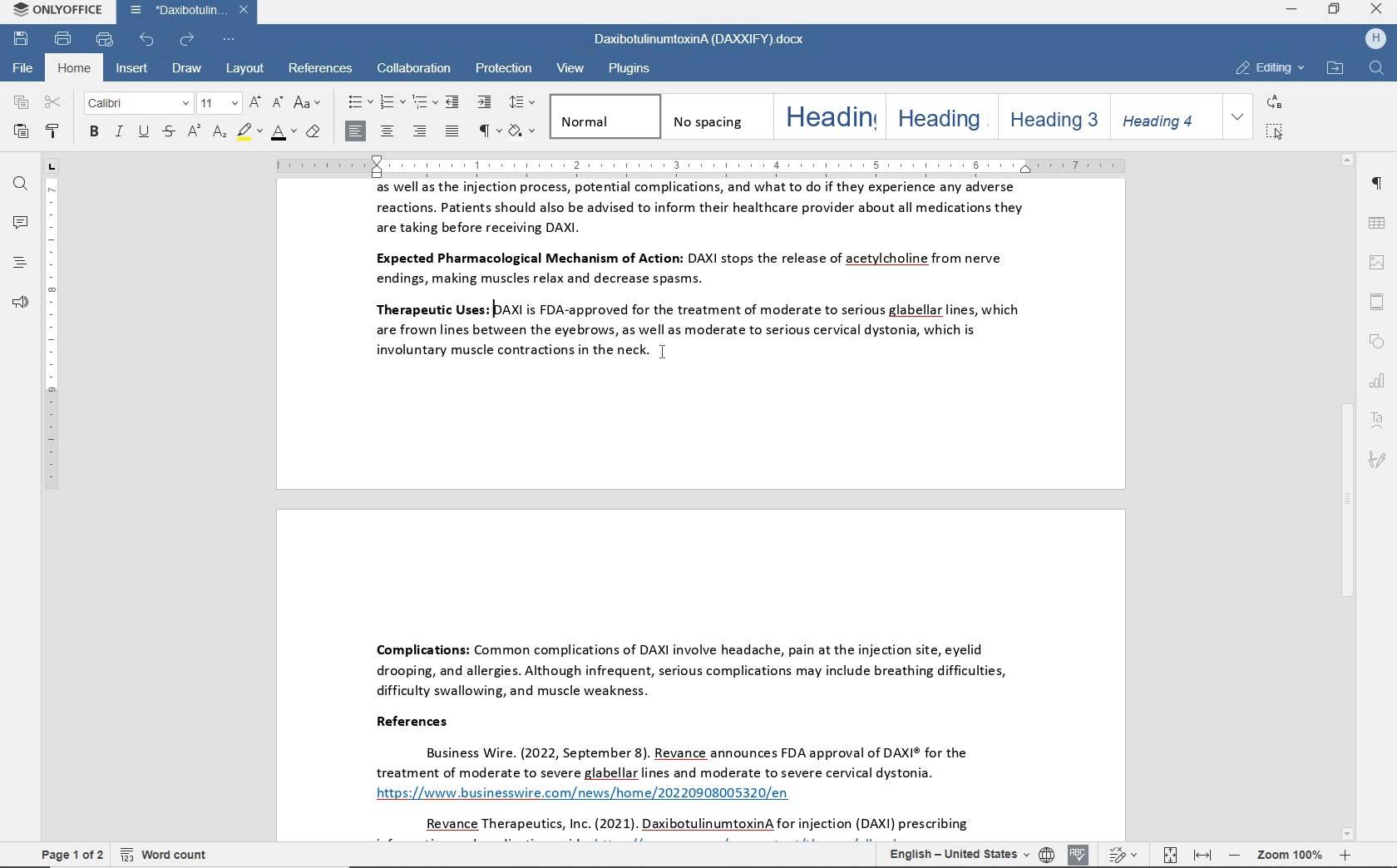  I want to click on paragraph settings, so click(1378, 183).